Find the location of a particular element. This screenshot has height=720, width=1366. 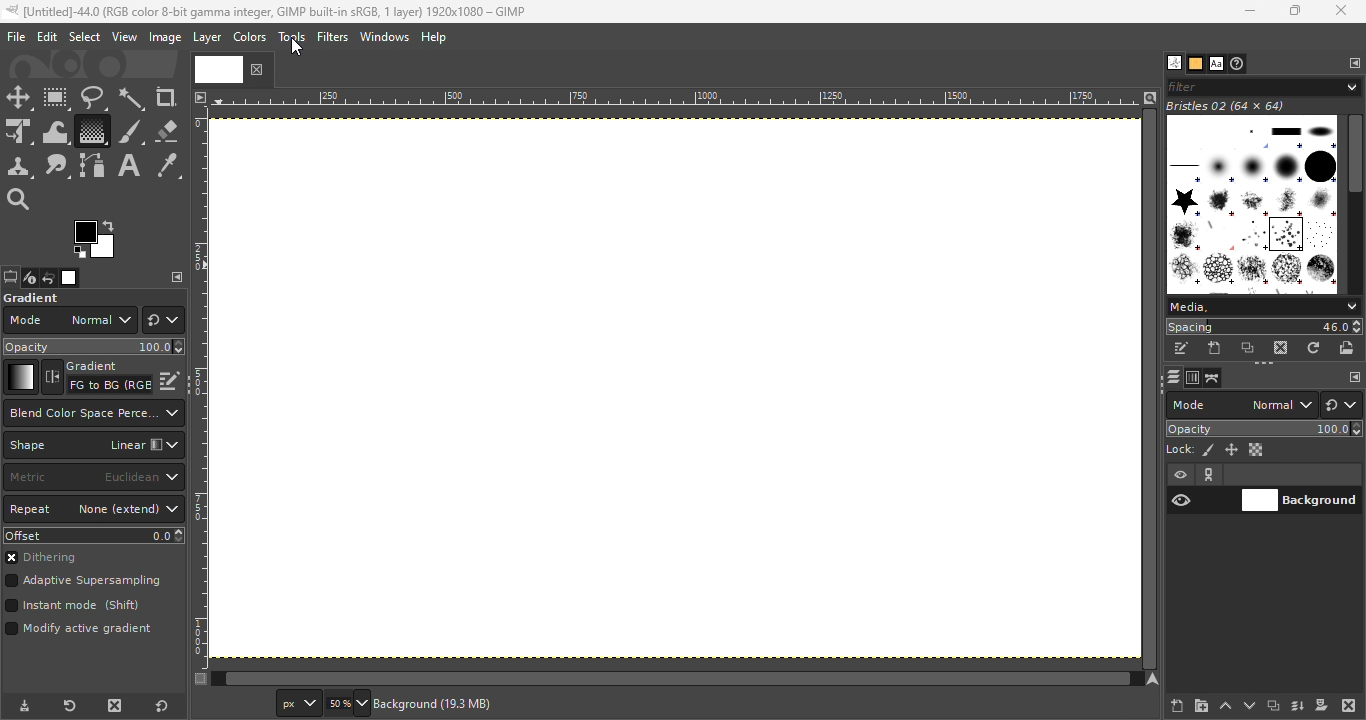

Horizontal scroll bar is located at coordinates (1152, 389).